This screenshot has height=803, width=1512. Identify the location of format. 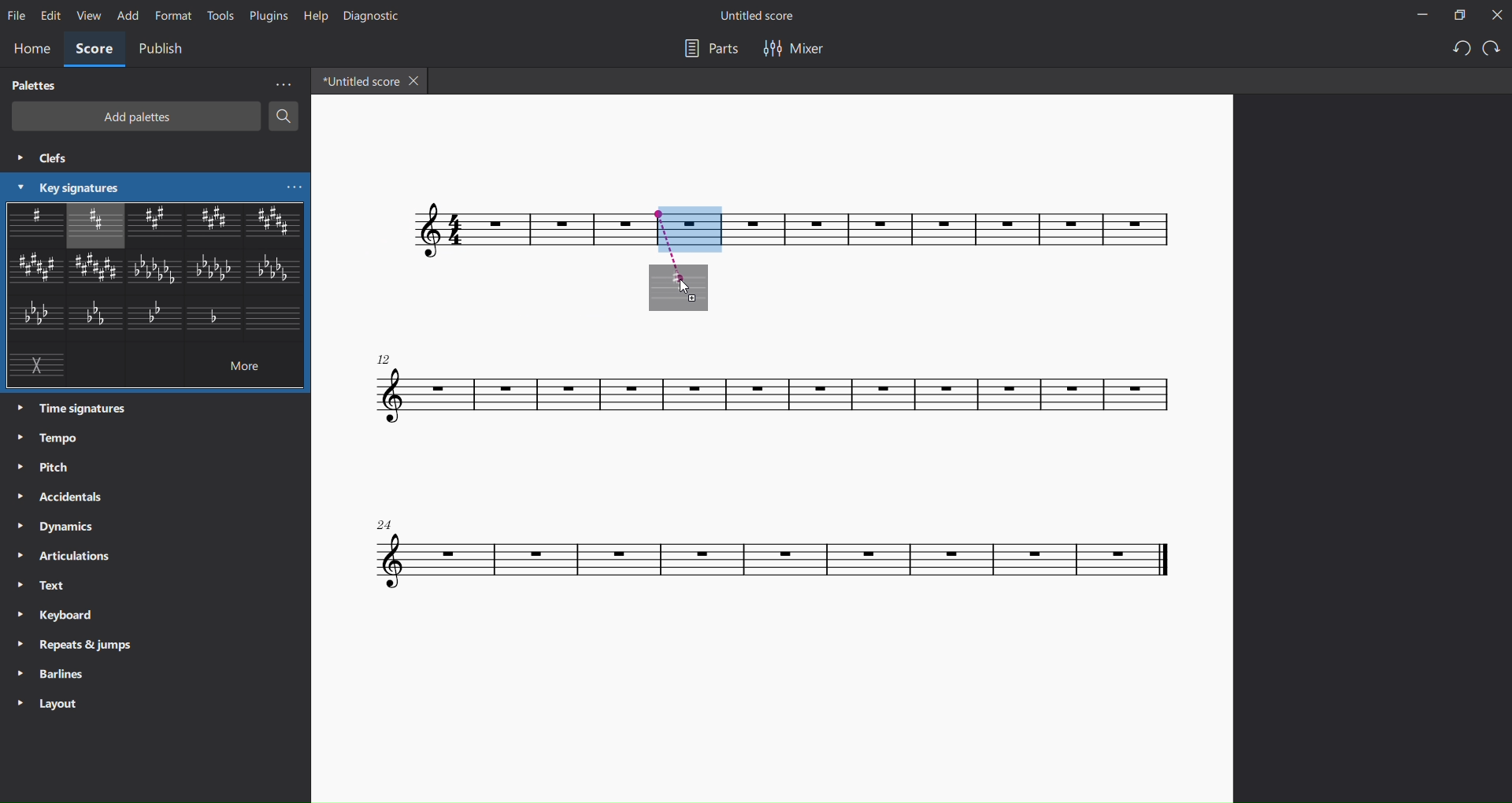
(172, 15).